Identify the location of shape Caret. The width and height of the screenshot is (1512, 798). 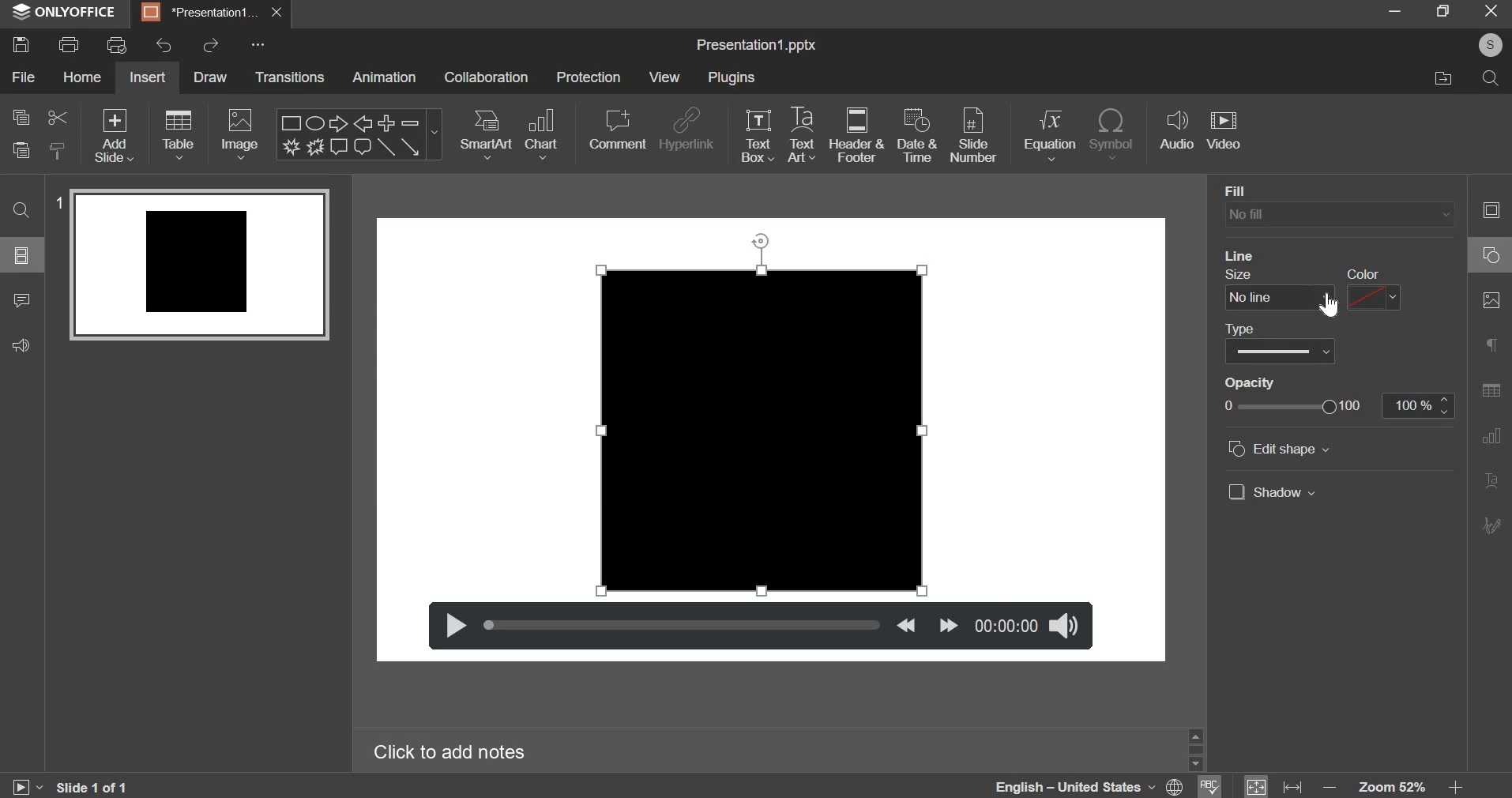
(434, 136).